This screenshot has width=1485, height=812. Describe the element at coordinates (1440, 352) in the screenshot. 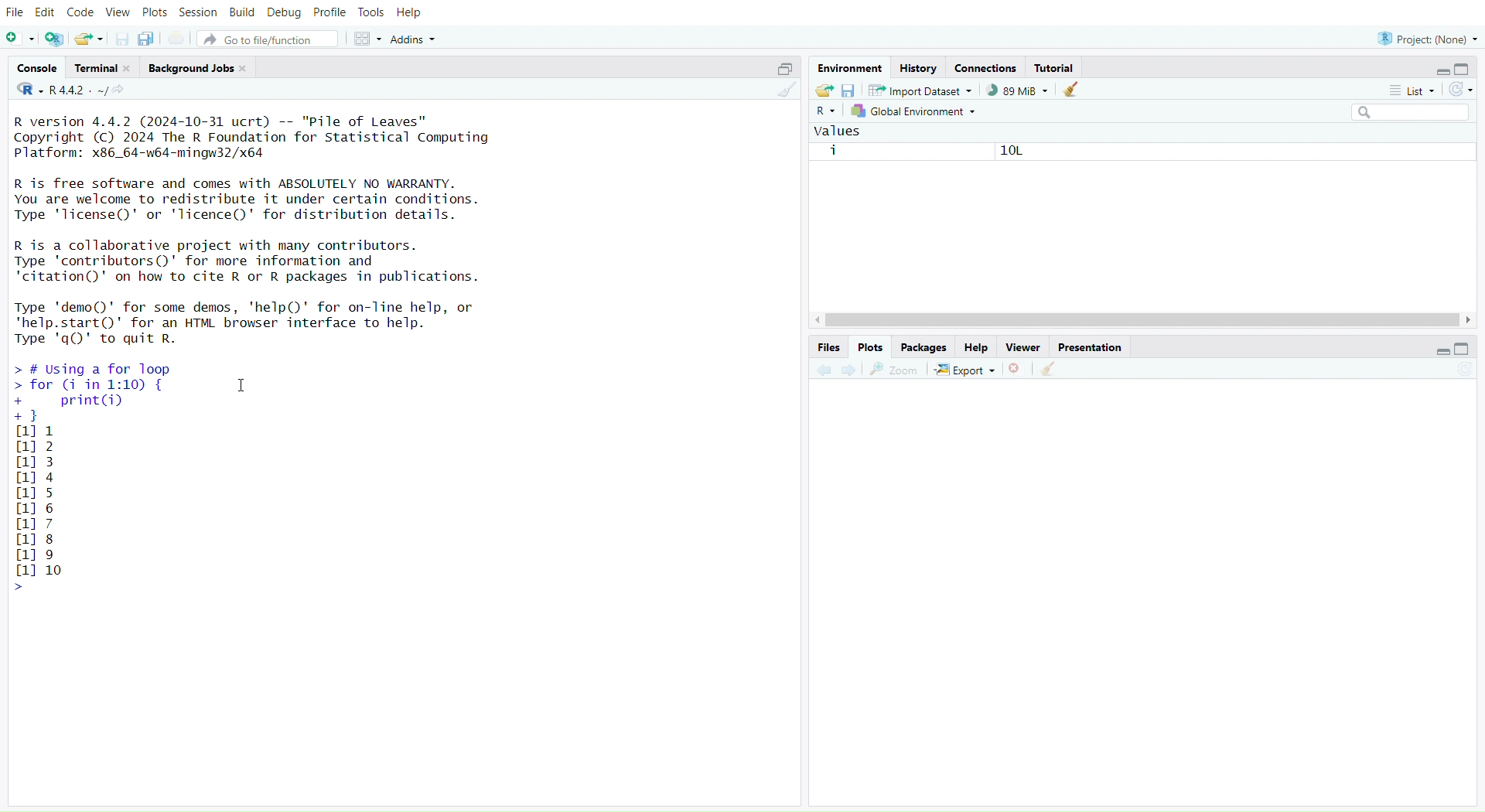

I see `expand` at that location.